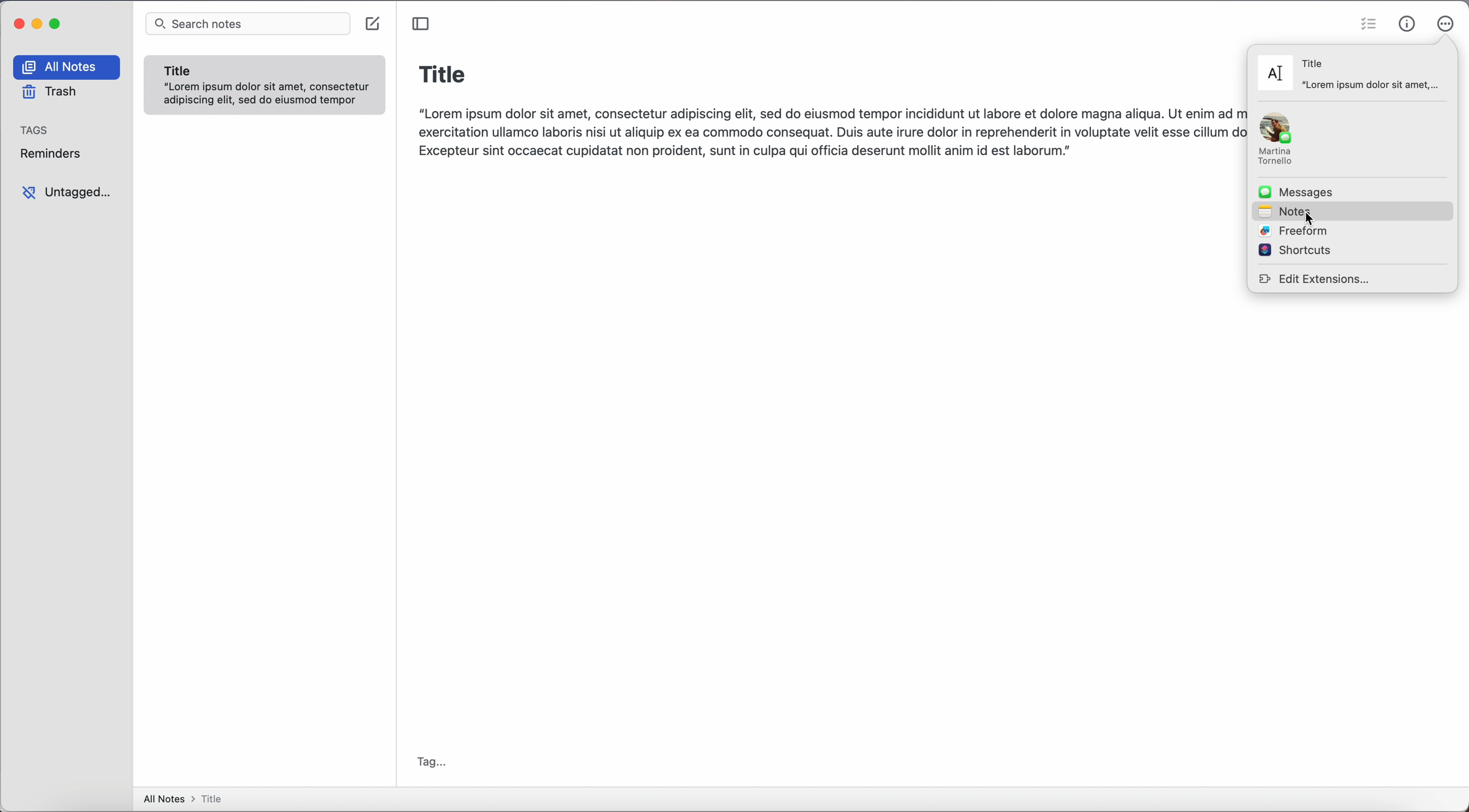 The height and width of the screenshot is (812, 1469). What do you see at coordinates (1350, 74) in the screenshot?
I see `note` at bounding box center [1350, 74].